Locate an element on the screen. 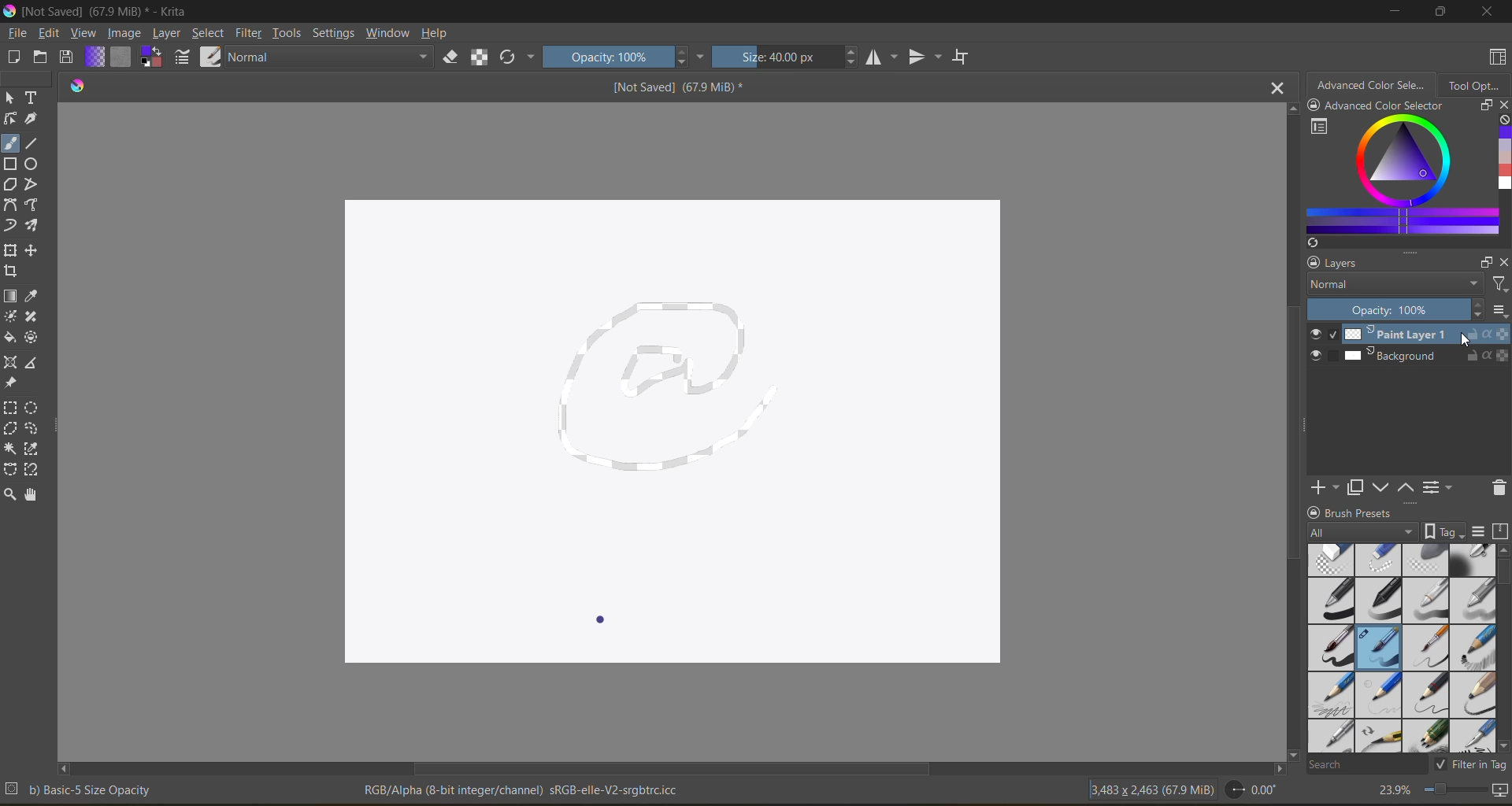  lock docker is located at coordinates (1312, 512).